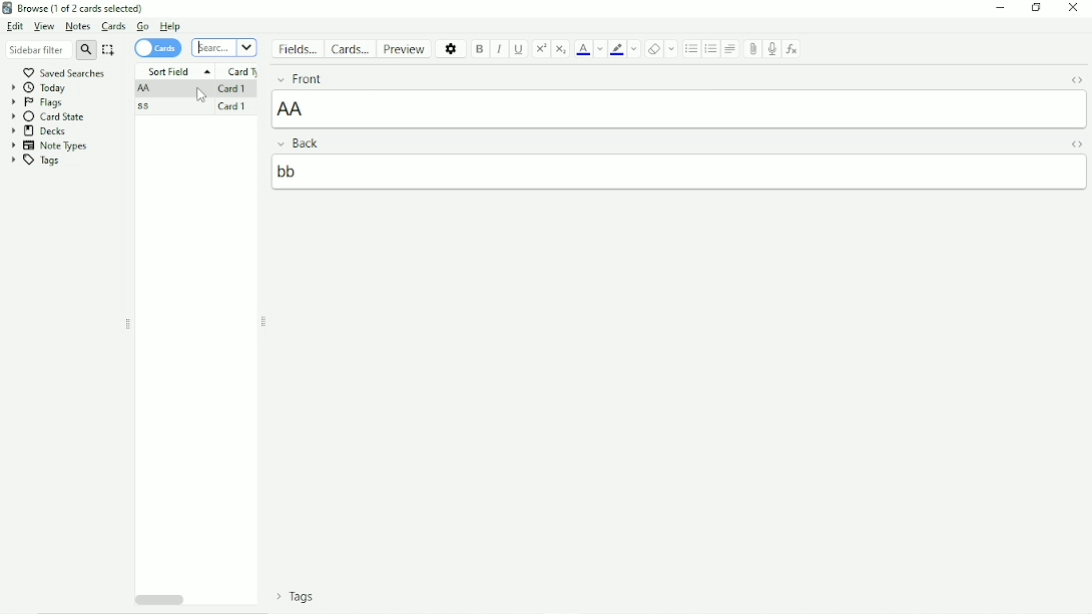 The width and height of the screenshot is (1092, 614). What do you see at coordinates (520, 50) in the screenshot?
I see `Underline` at bounding box center [520, 50].